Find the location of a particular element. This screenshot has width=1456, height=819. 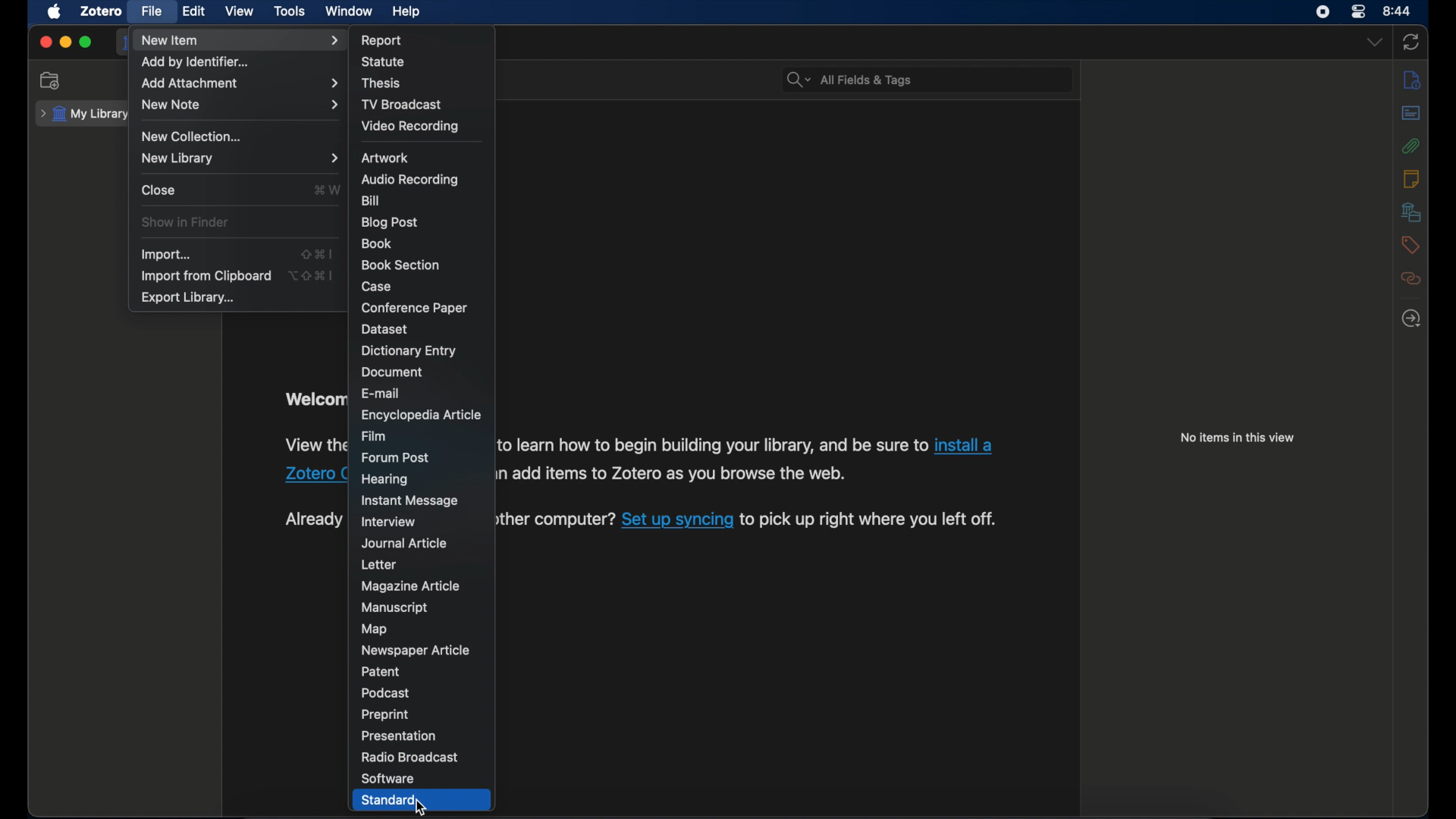

close is located at coordinates (45, 42).